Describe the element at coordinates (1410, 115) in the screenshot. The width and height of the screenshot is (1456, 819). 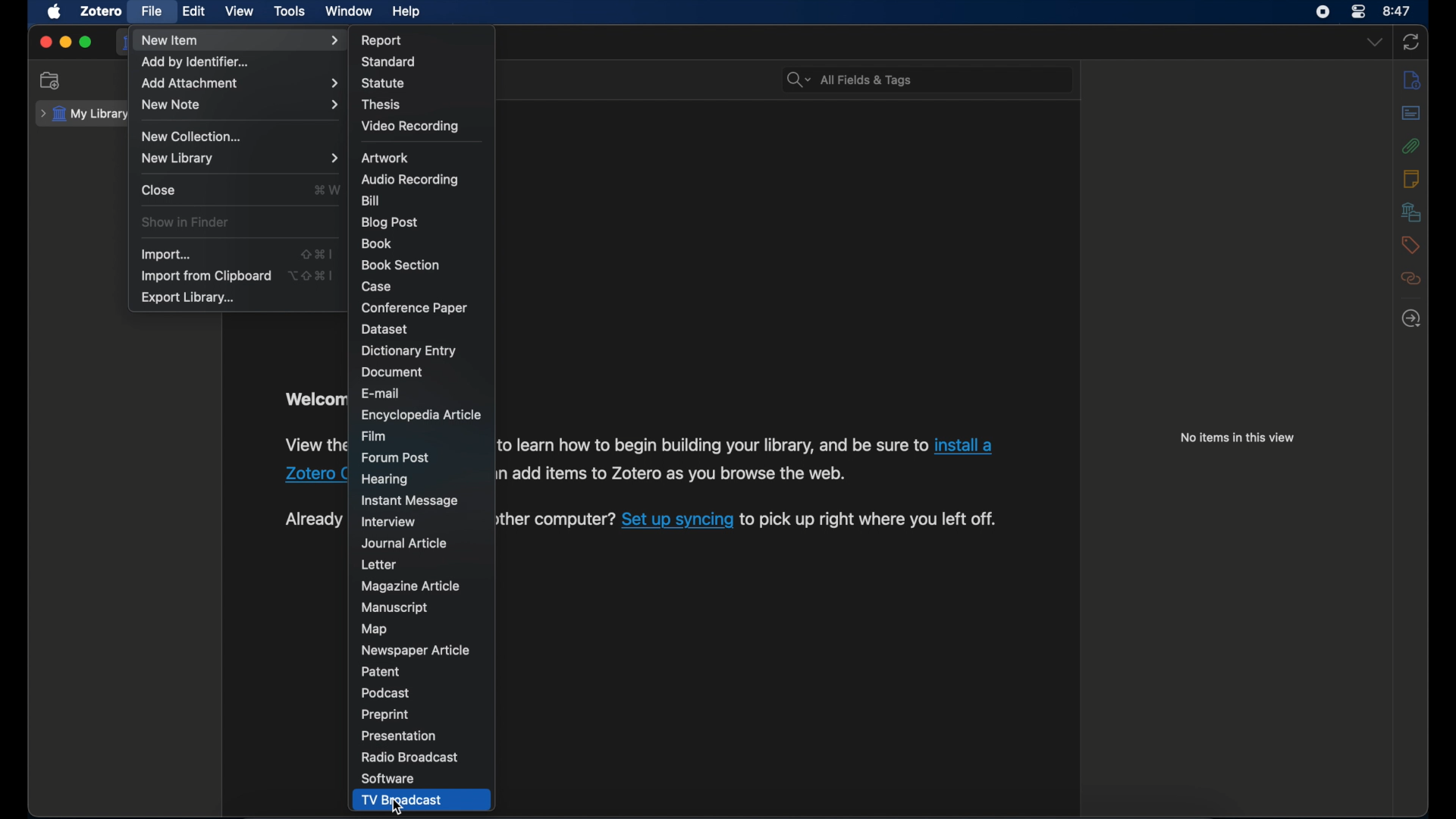
I see `abstract` at that location.